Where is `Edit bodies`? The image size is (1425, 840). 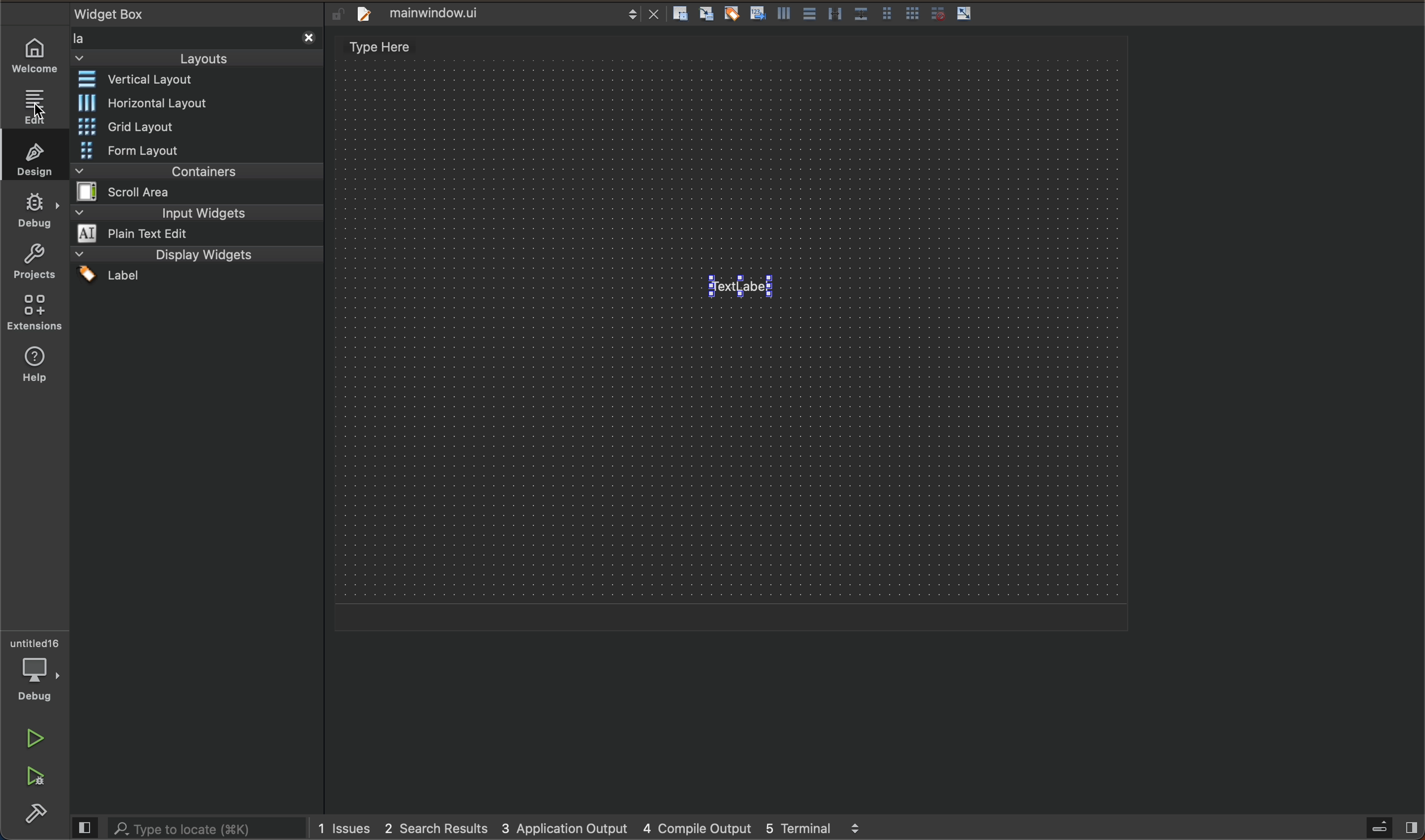
Edit bodies is located at coordinates (731, 12).